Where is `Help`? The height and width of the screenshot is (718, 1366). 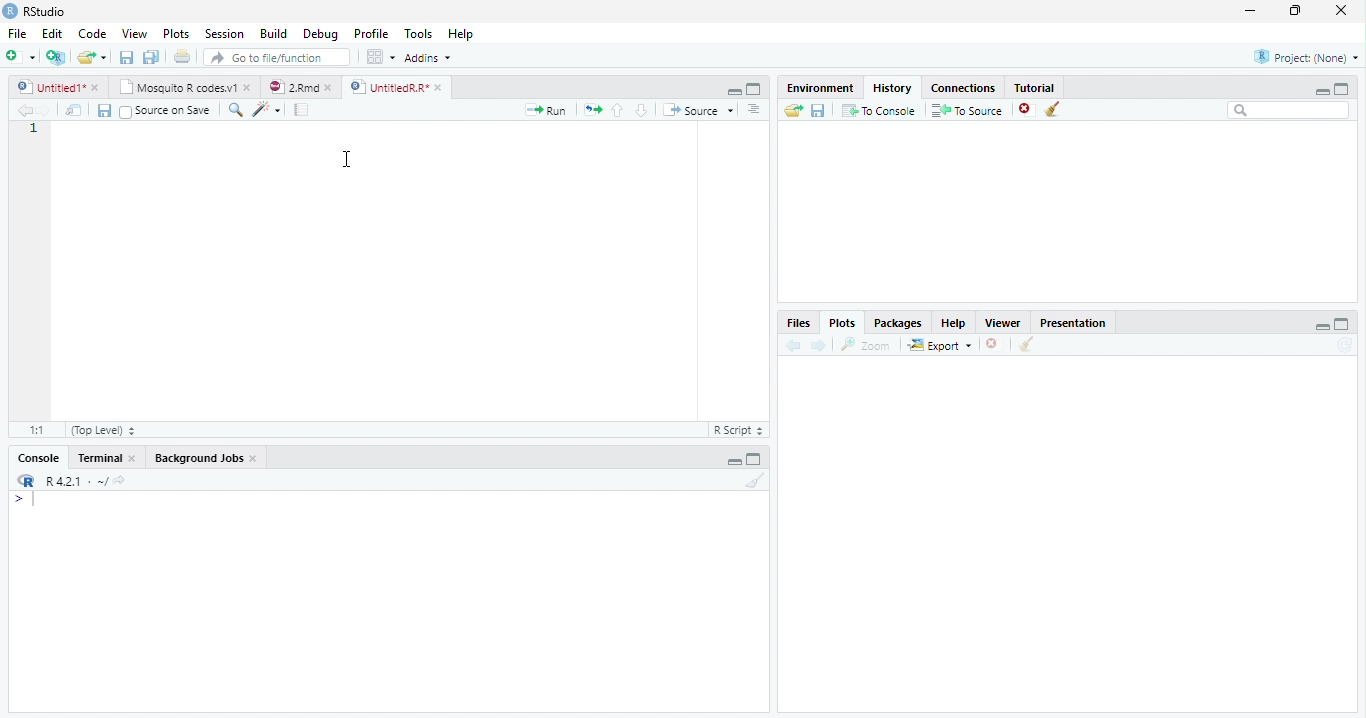 Help is located at coordinates (955, 324).